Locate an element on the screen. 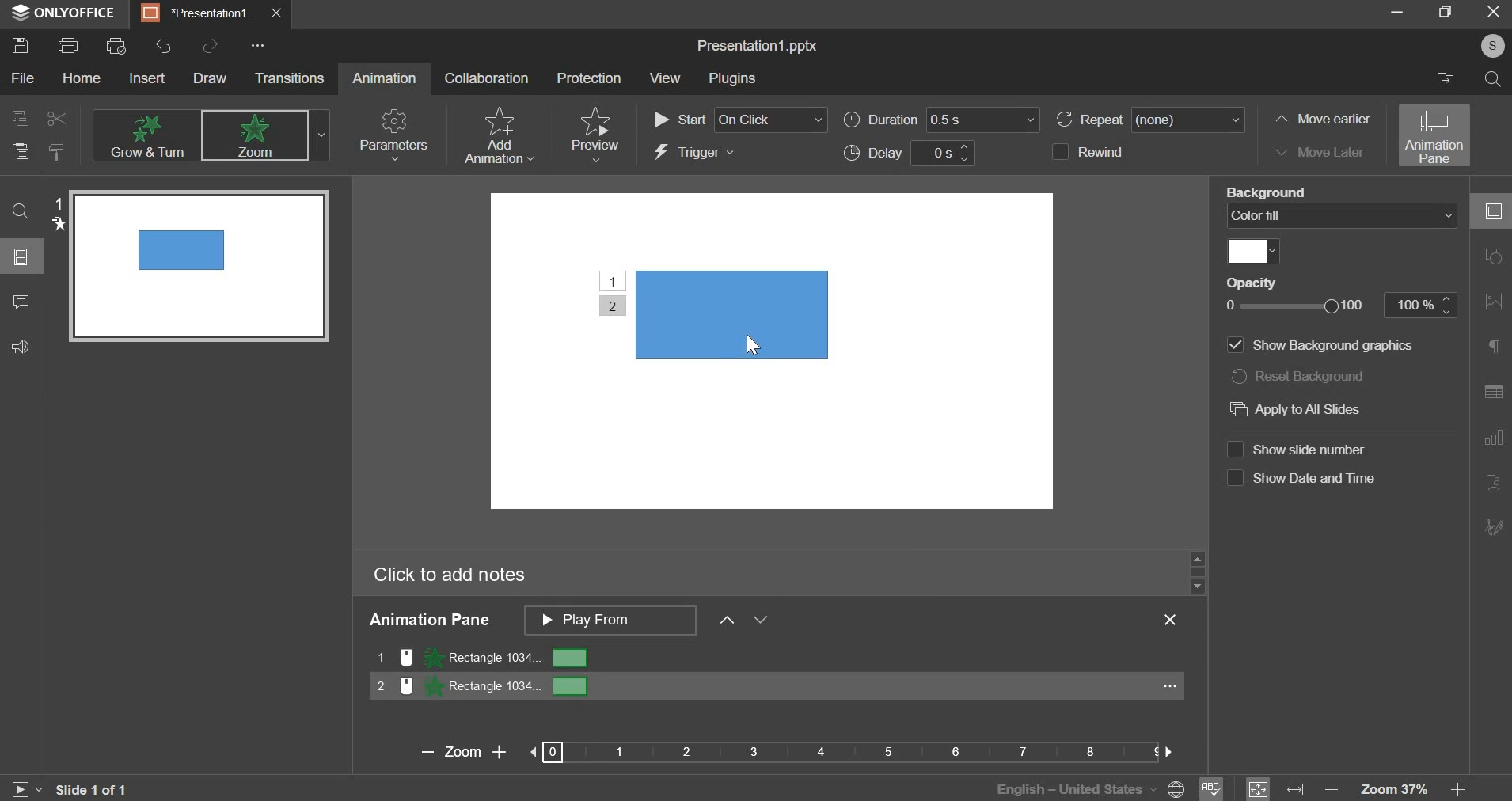 This screenshot has width=1512, height=801. Slide Transition is located at coordinates (1493, 435).